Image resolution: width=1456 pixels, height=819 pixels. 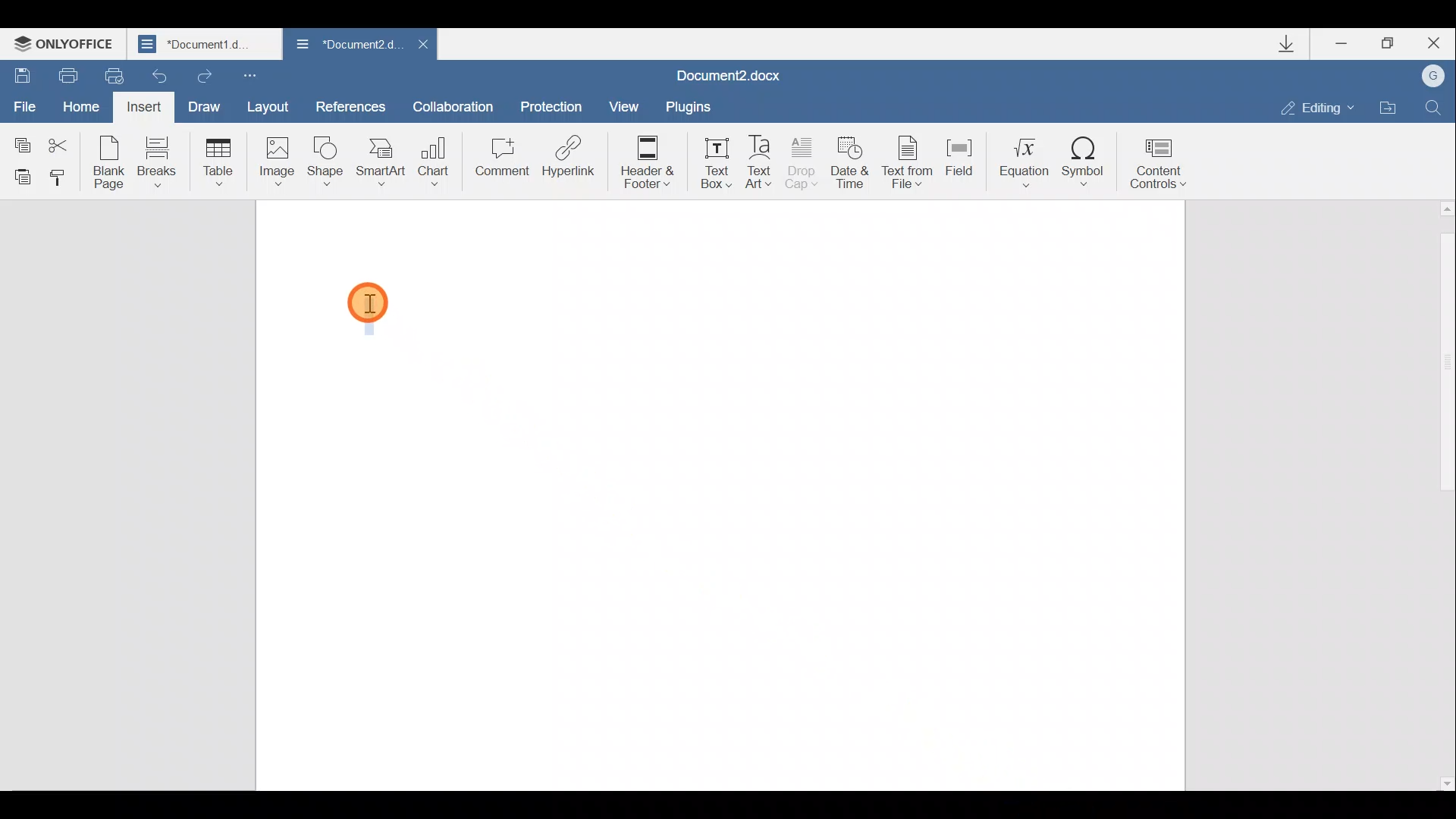 I want to click on File, so click(x=23, y=101).